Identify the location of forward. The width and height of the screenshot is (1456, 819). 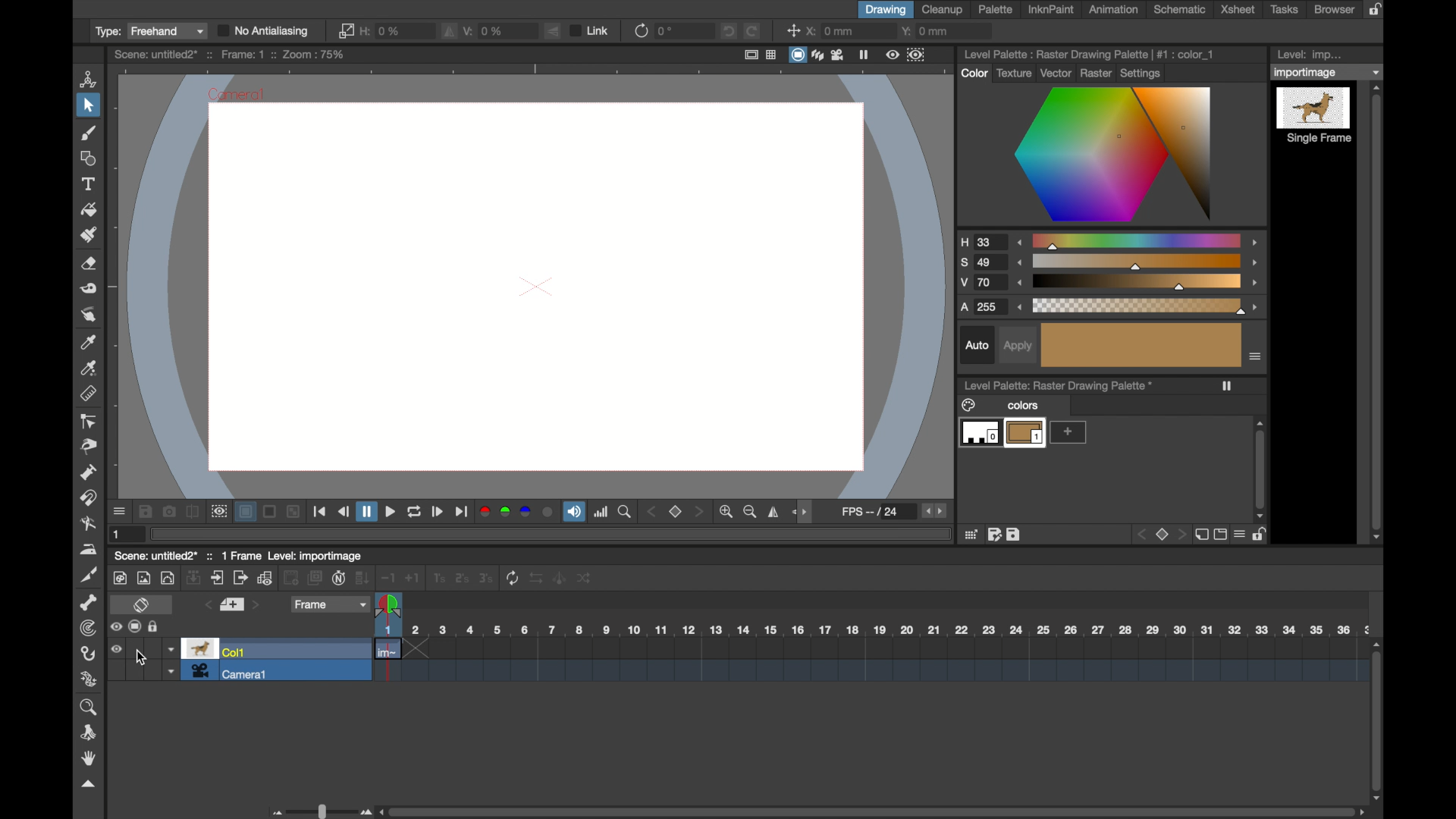
(240, 578).